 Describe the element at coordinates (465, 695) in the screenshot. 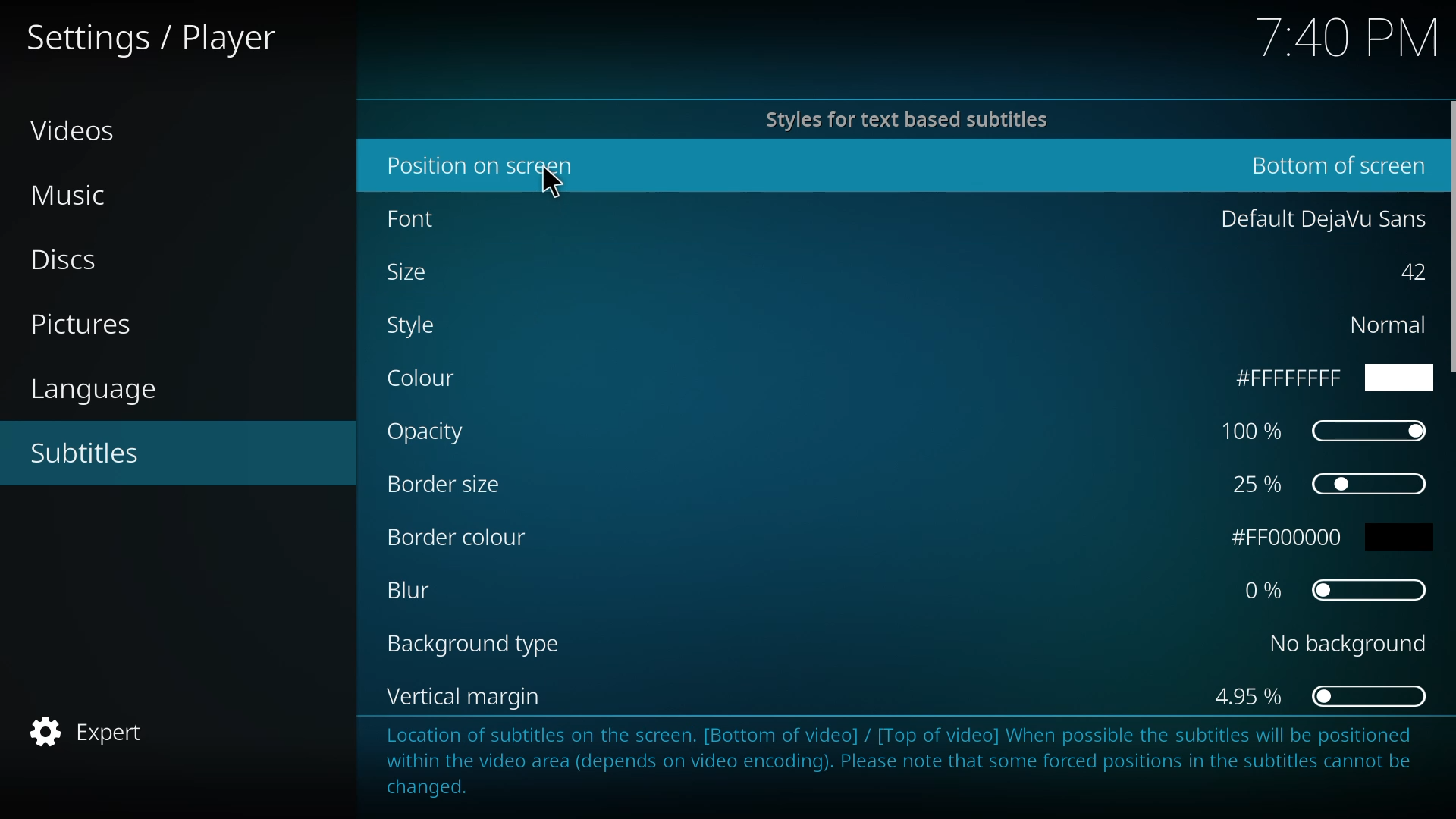

I see `vertical margin` at that location.